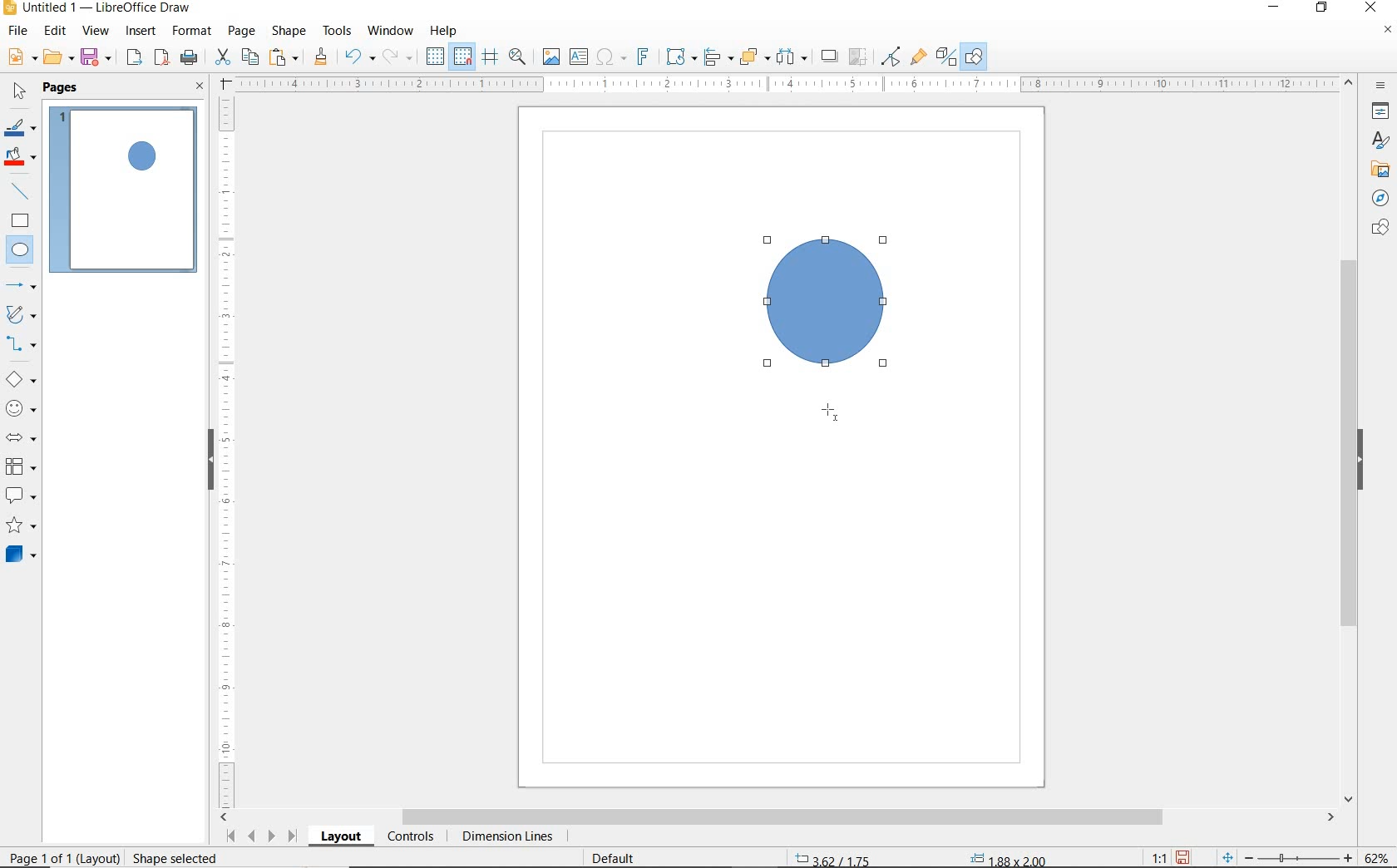 Image resolution: width=1397 pixels, height=868 pixels. I want to click on REDO, so click(398, 57).